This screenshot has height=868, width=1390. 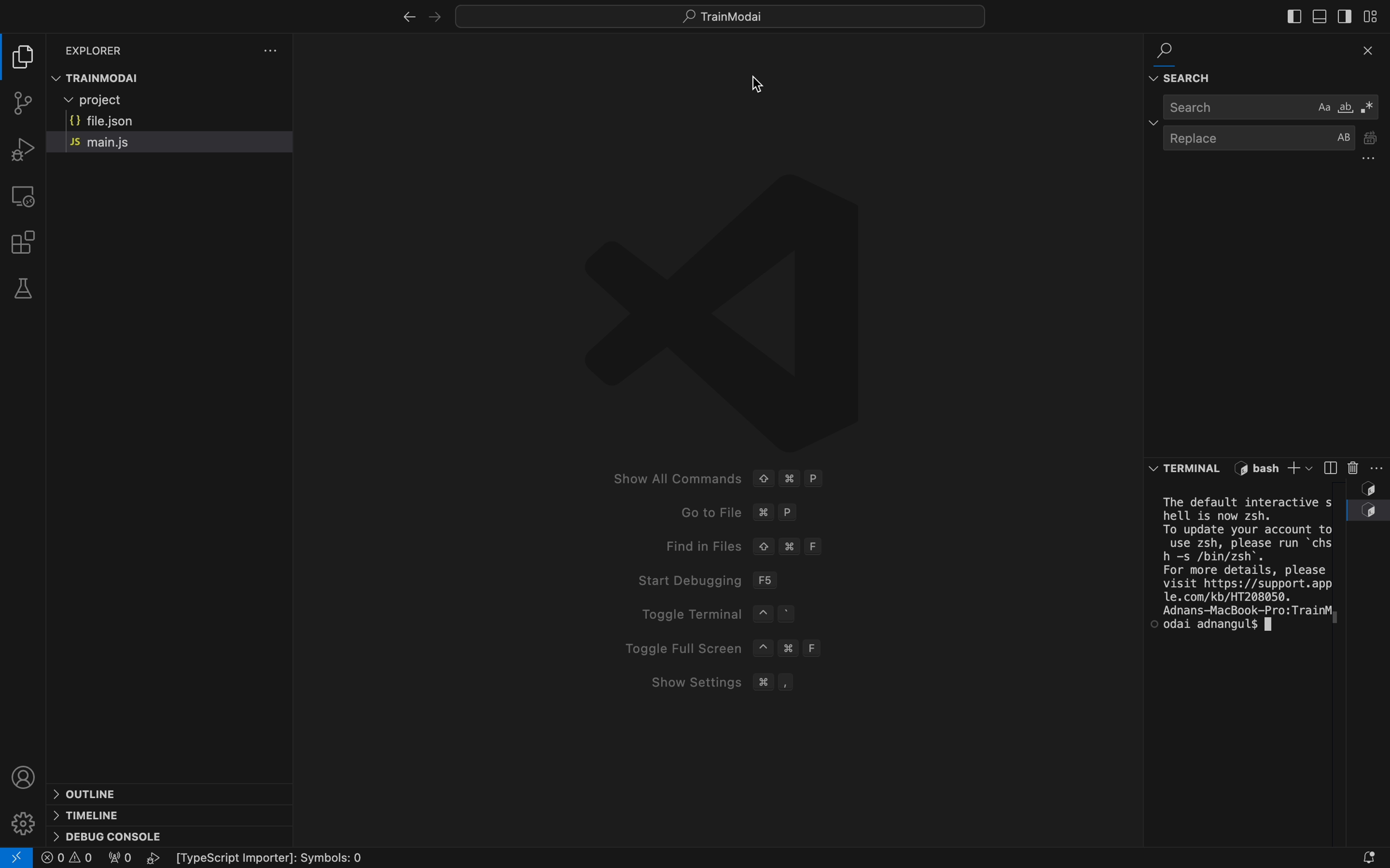 I want to click on terminal name, so click(x=1254, y=468).